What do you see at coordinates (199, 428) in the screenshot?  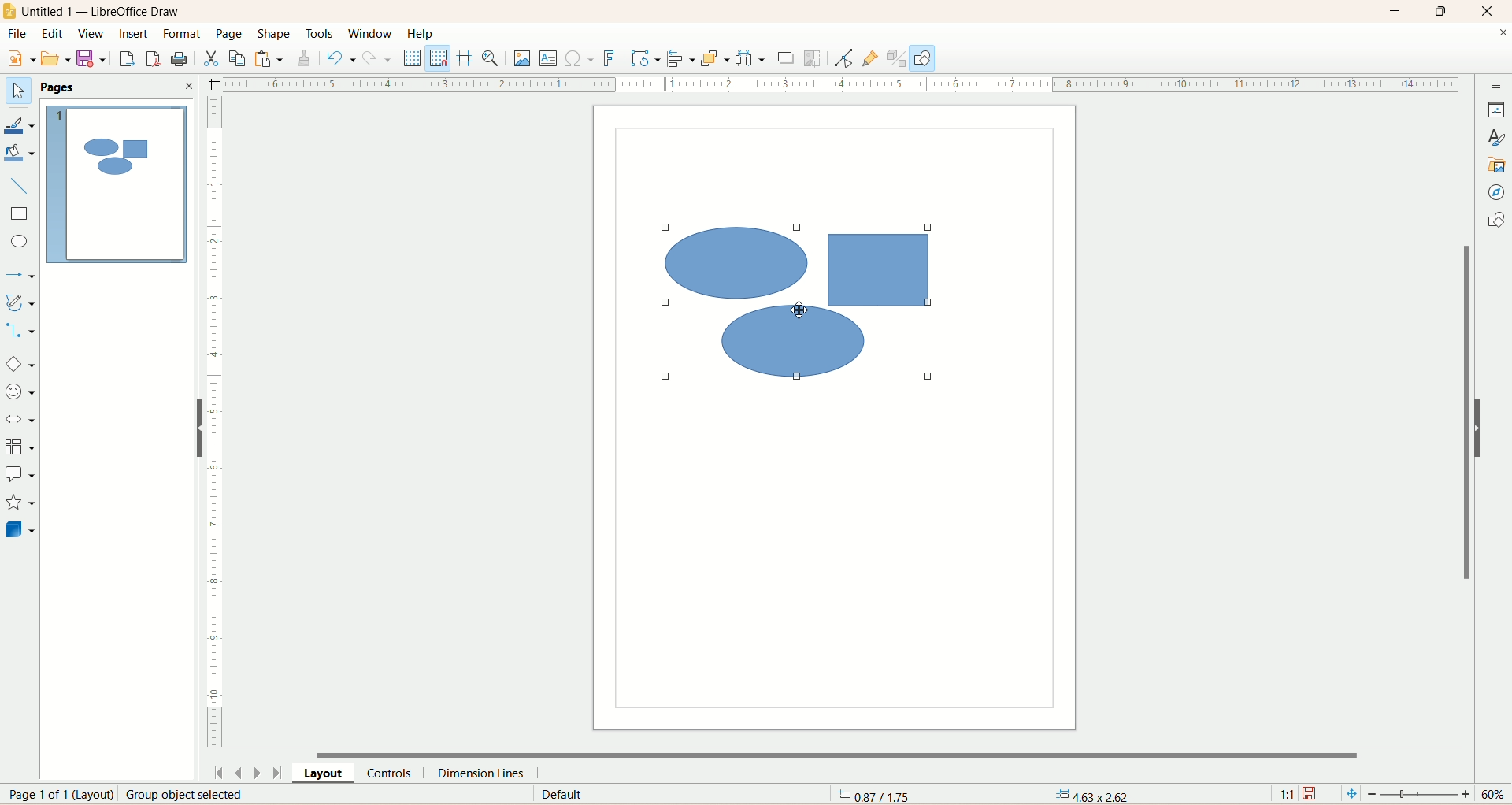 I see `hide` at bounding box center [199, 428].